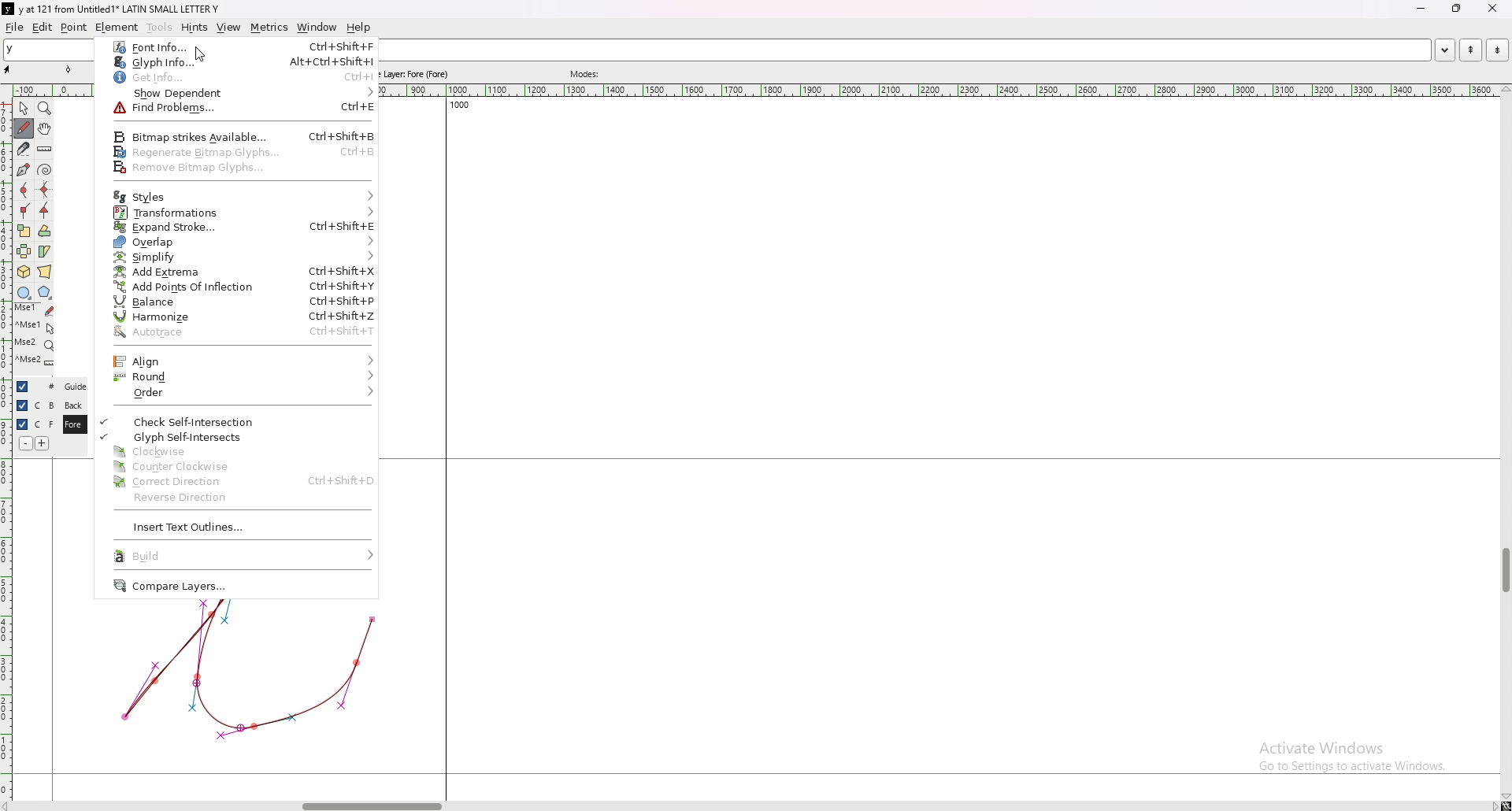 Image resolution: width=1512 pixels, height=811 pixels. Describe the element at coordinates (24, 128) in the screenshot. I see `draw freehand` at that location.